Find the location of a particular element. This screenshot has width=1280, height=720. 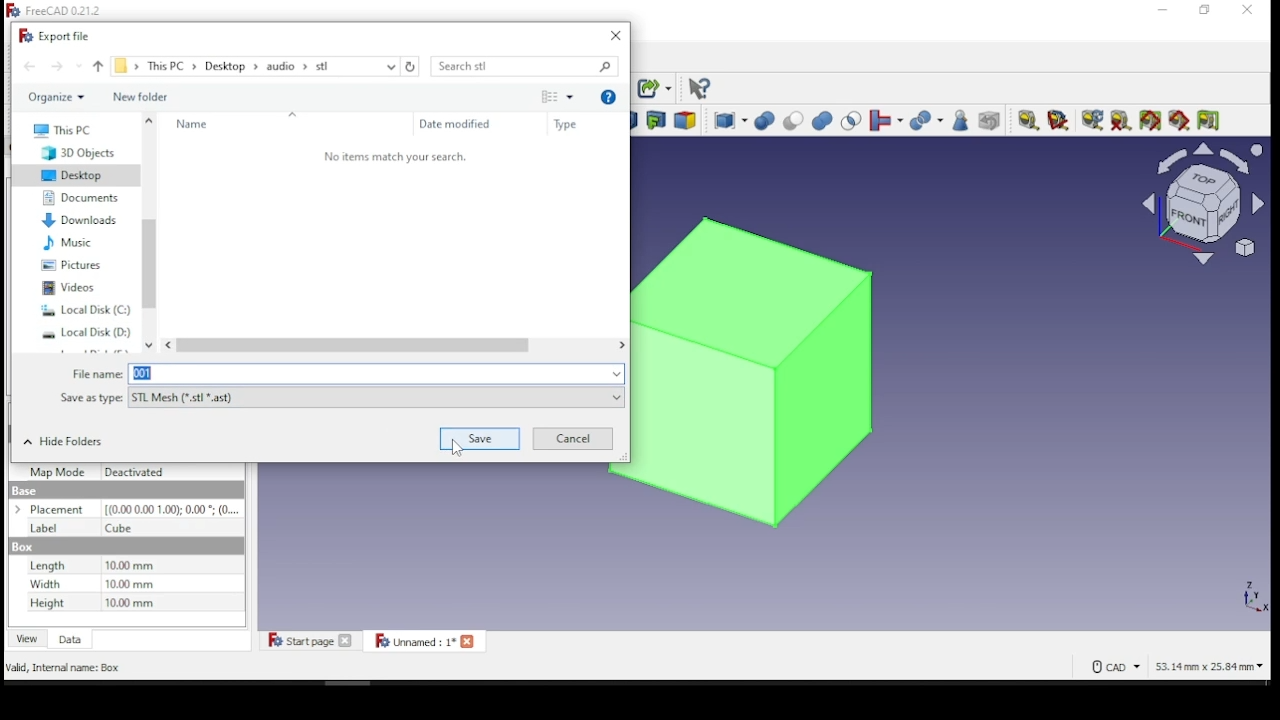

join objects is located at coordinates (886, 121).